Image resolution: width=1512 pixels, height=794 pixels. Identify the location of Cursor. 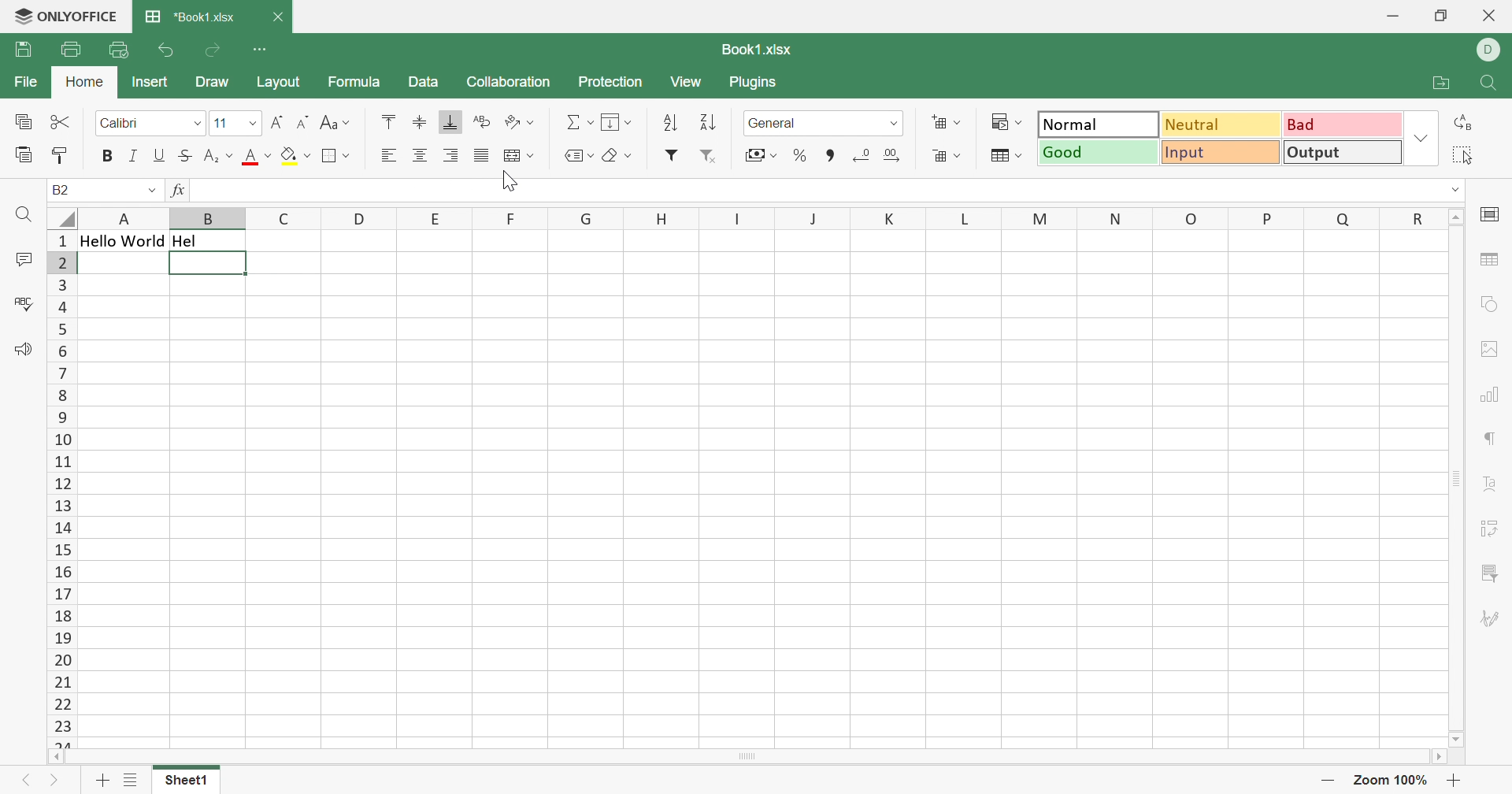
(513, 182).